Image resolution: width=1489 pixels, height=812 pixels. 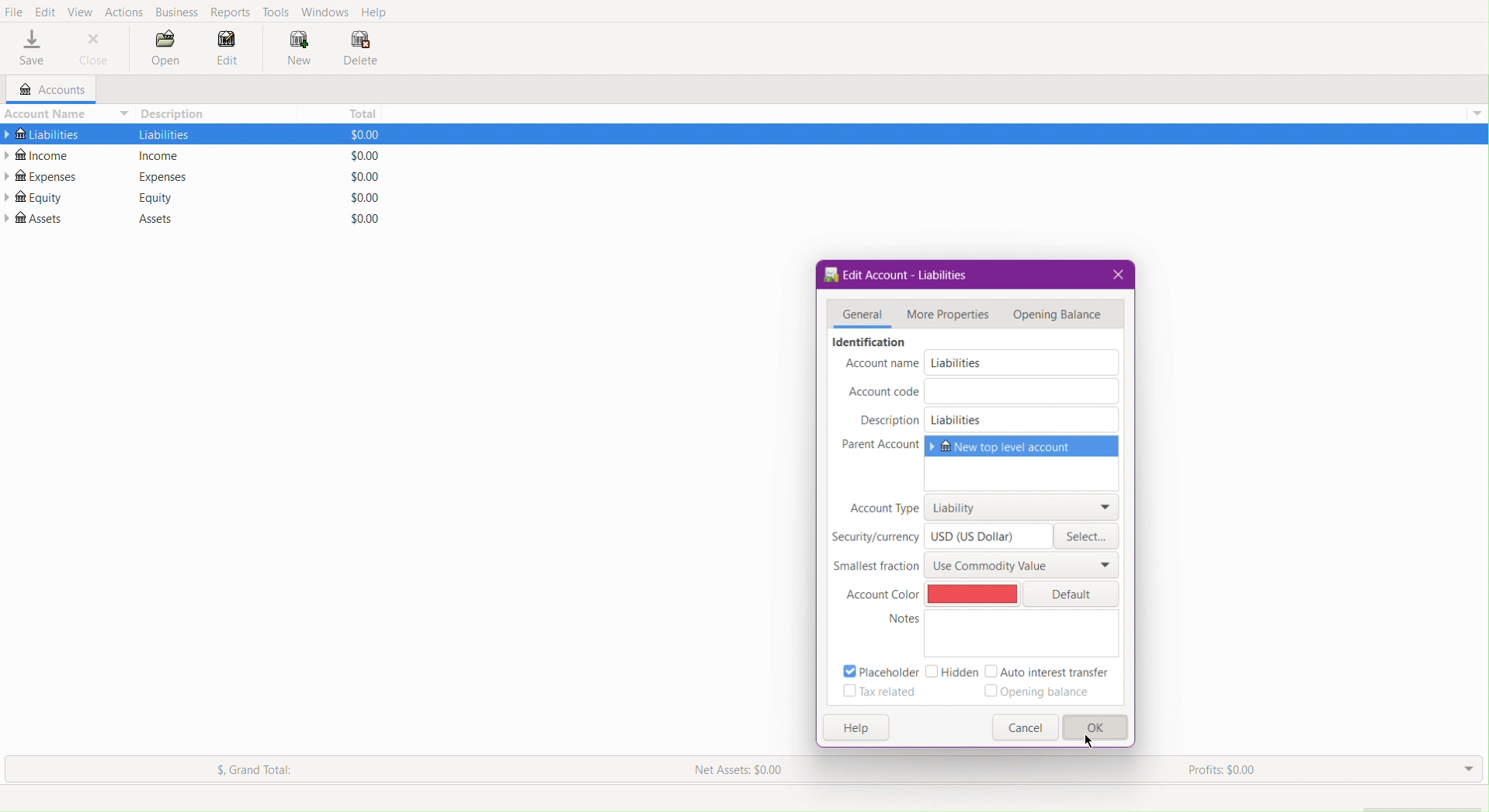 What do you see at coordinates (957, 419) in the screenshot?
I see `Liabilities` at bounding box center [957, 419].